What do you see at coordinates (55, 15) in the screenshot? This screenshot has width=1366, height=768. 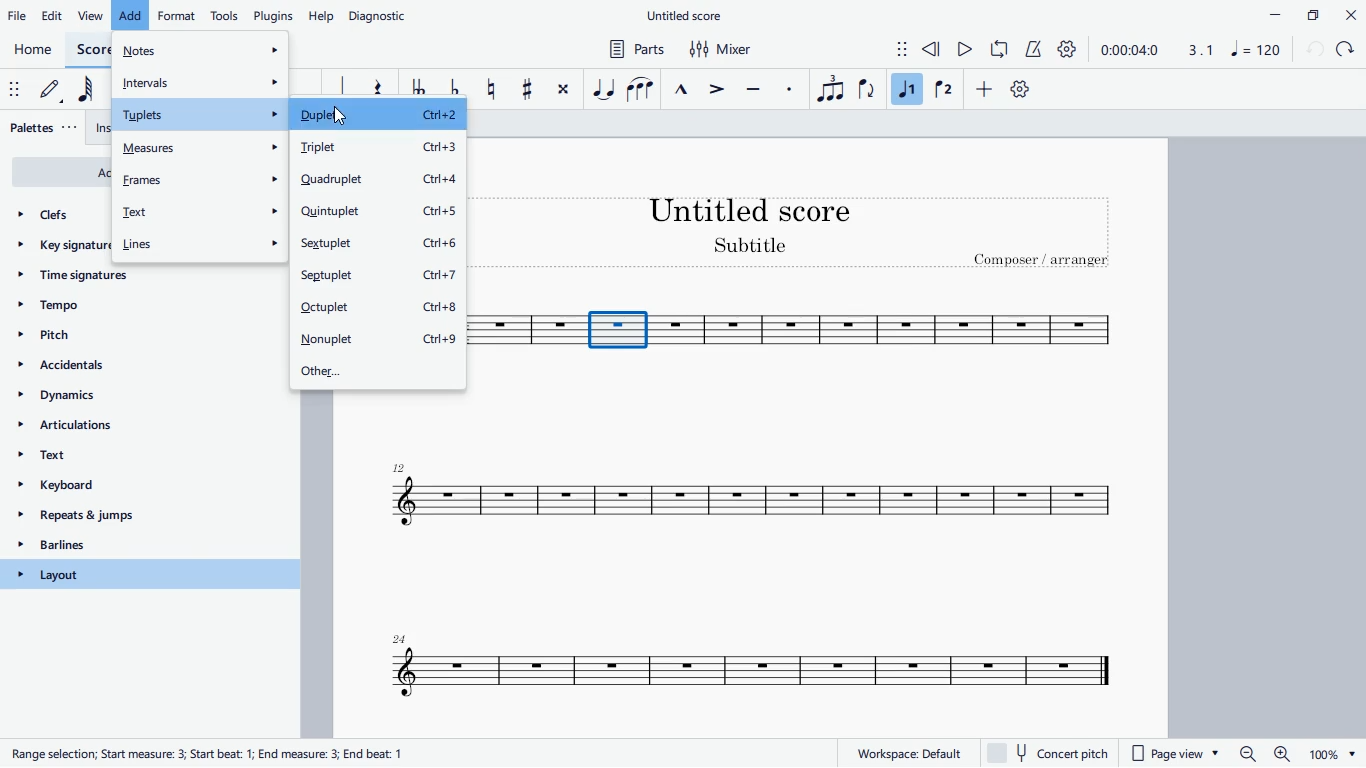 I see `edit` at bounding box center [55, 15].